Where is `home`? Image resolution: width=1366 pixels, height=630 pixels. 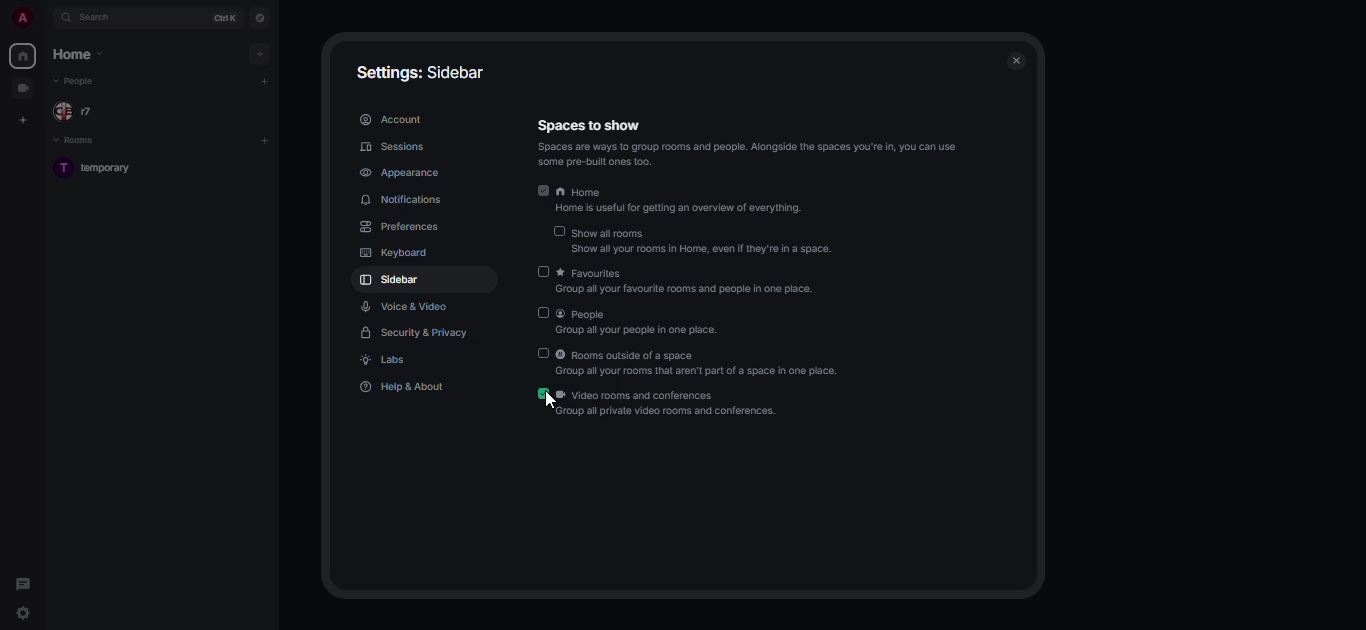 home is located at coordinates (21, 56).